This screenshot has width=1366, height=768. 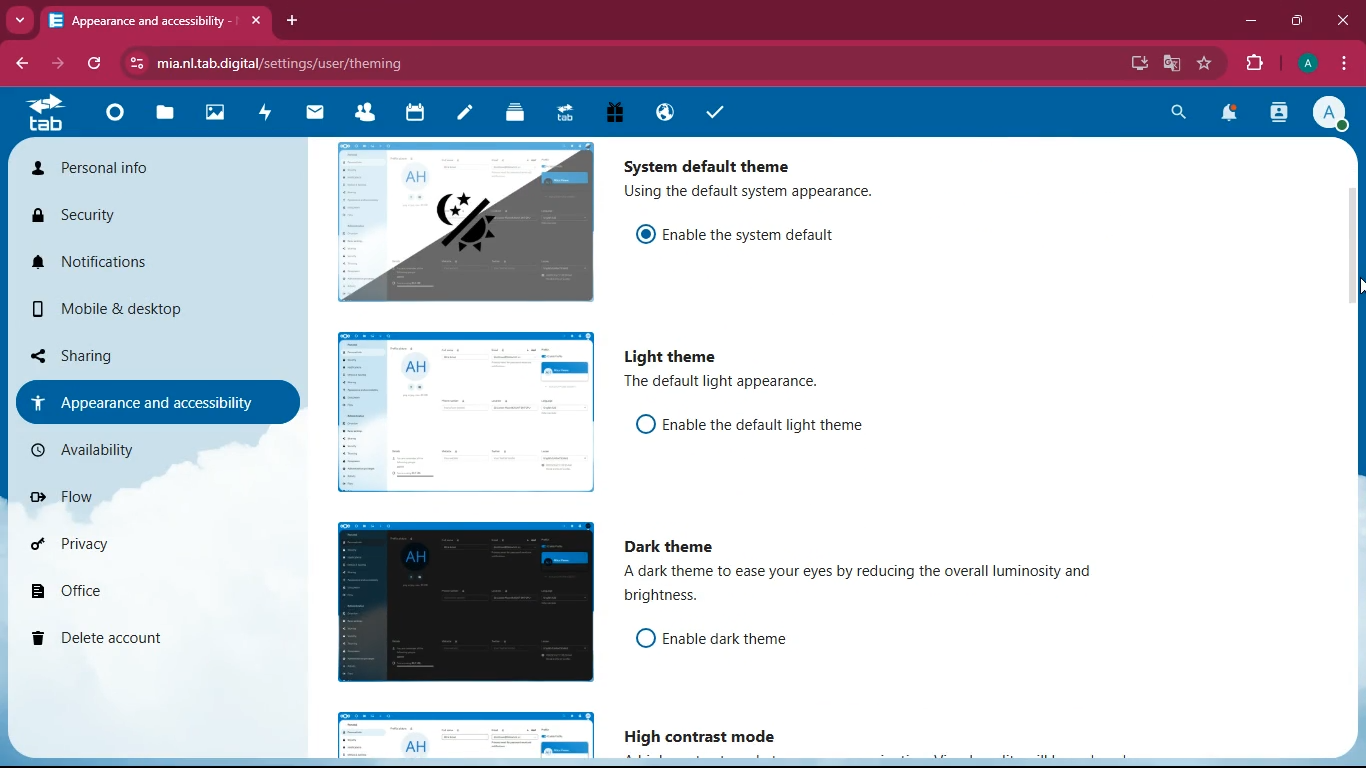 What do you see at coordinates (102, 313) in the screenshot?
I see `mobile` at bounding box center [102, 313].